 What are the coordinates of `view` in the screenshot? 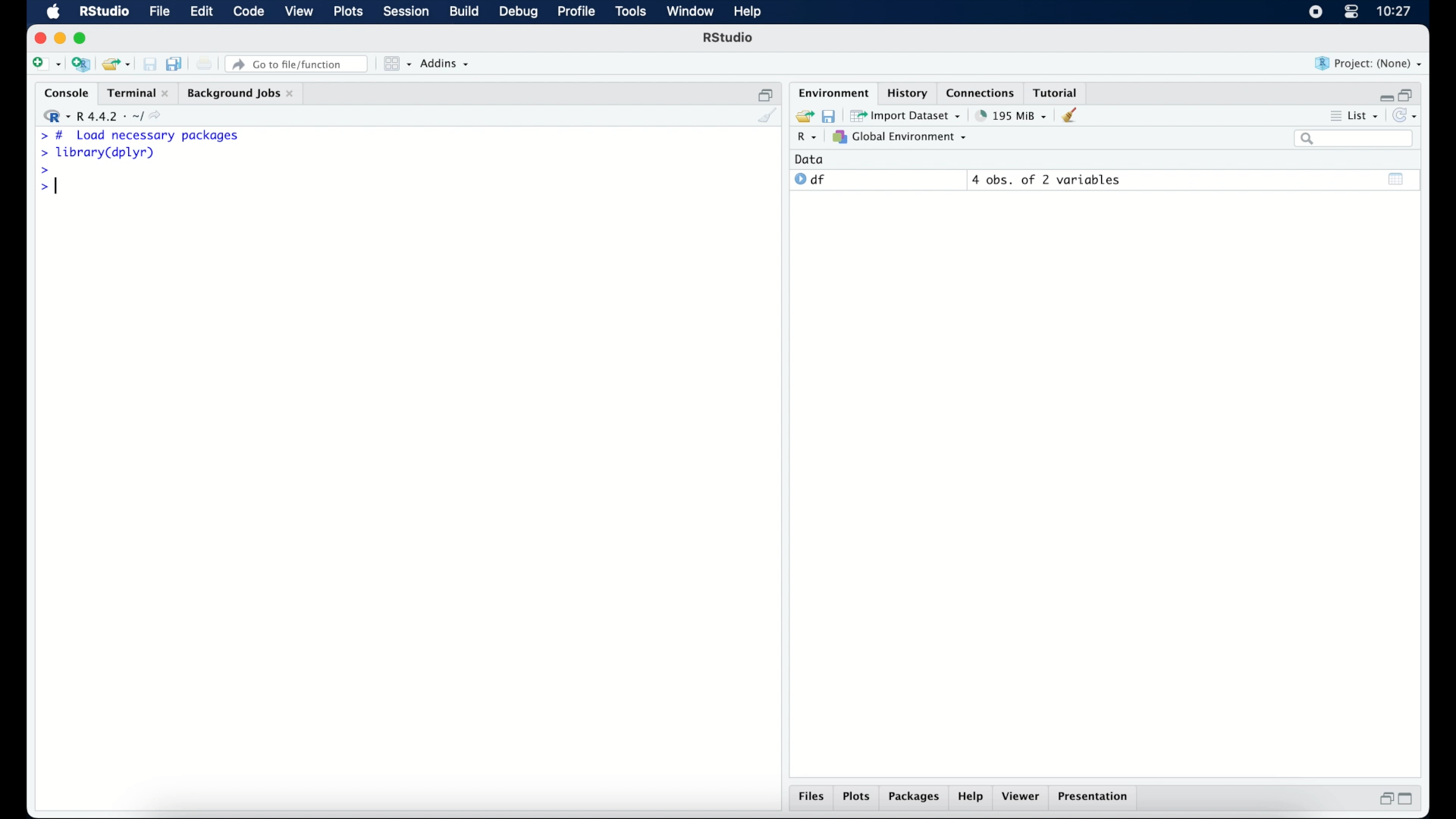 It's located at (300, 13).